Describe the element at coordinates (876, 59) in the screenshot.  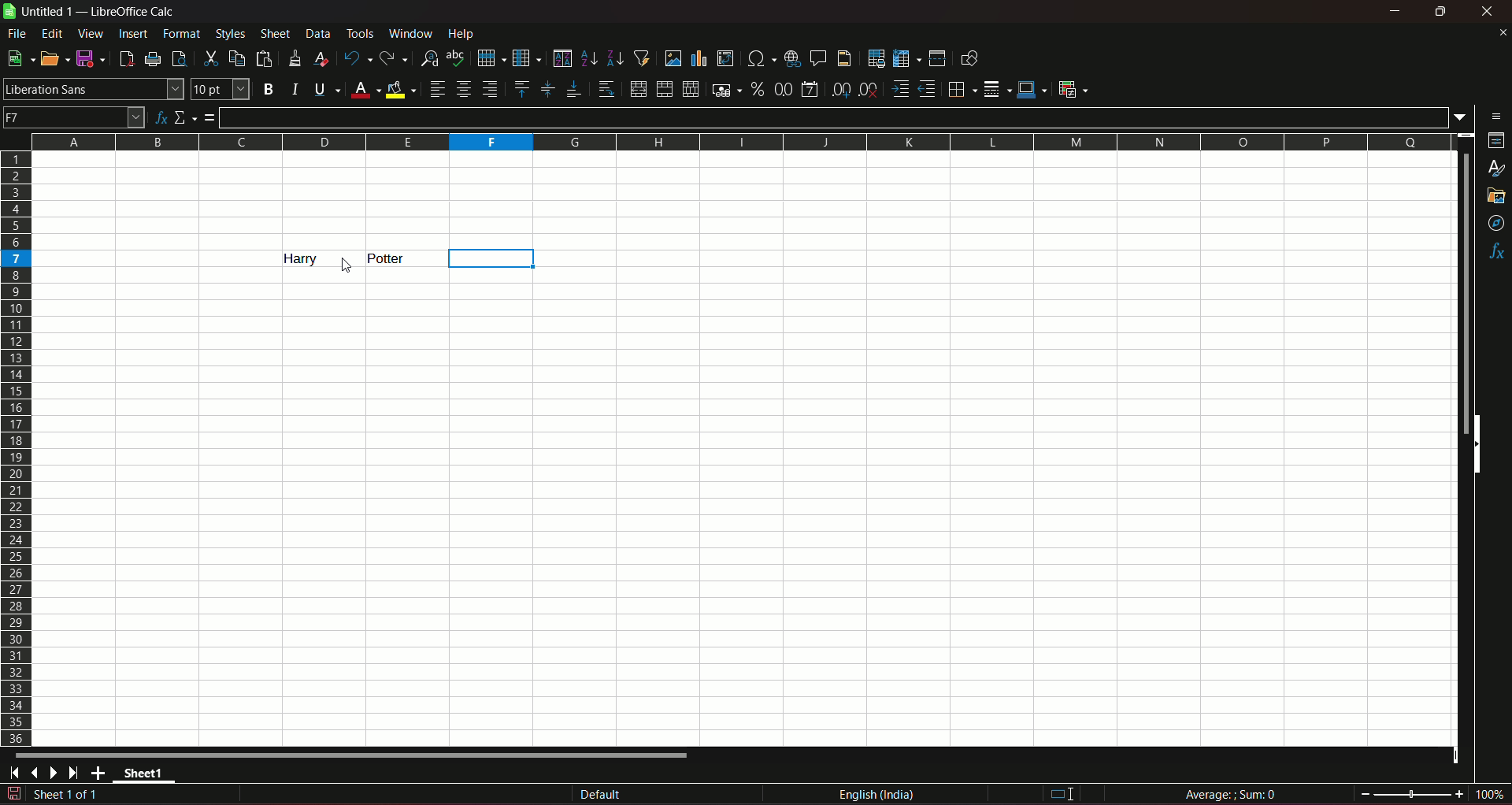
I see `define print area` at that location.